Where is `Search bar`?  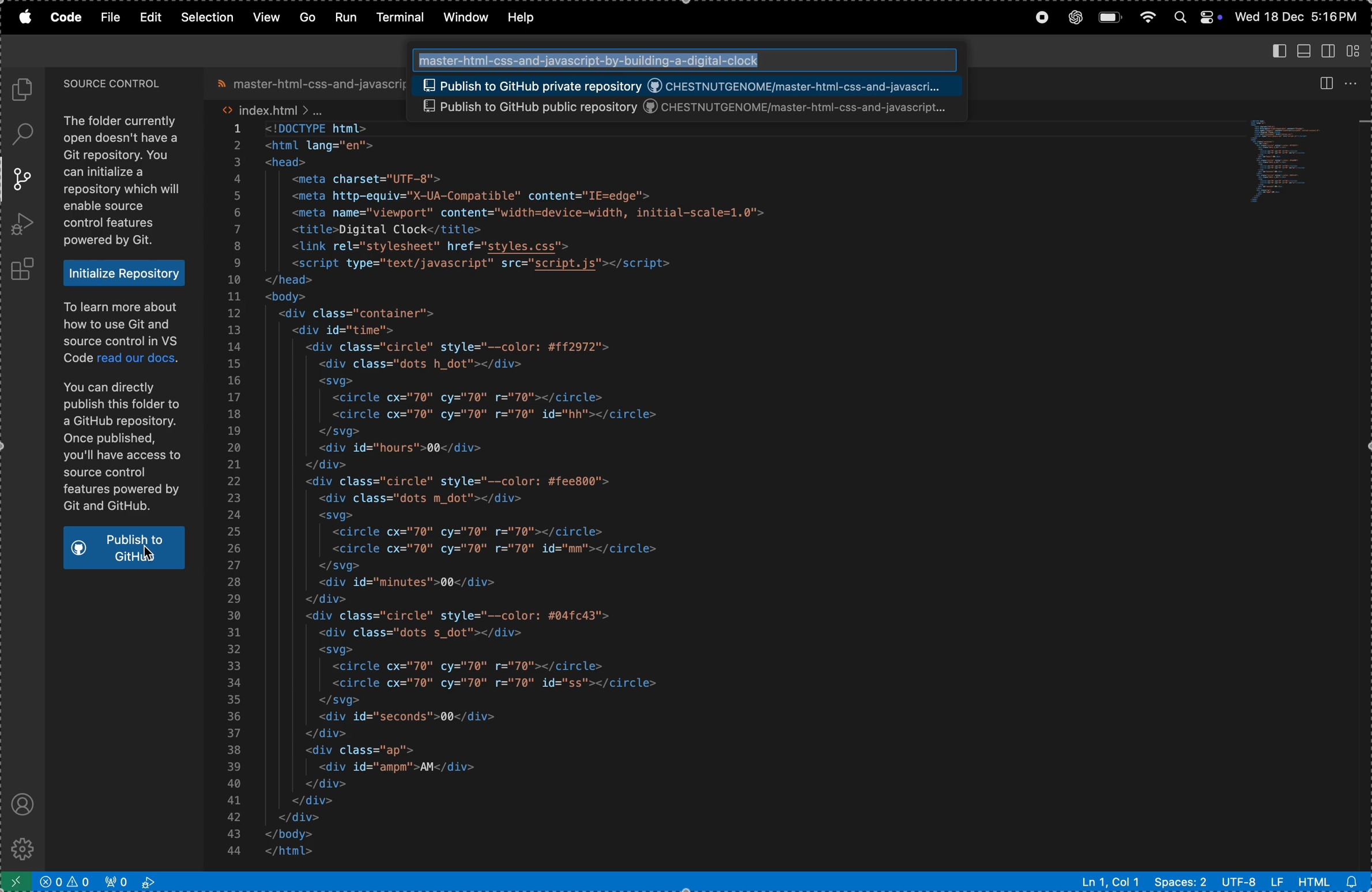
Search bar is located at coordinates (687, 58).